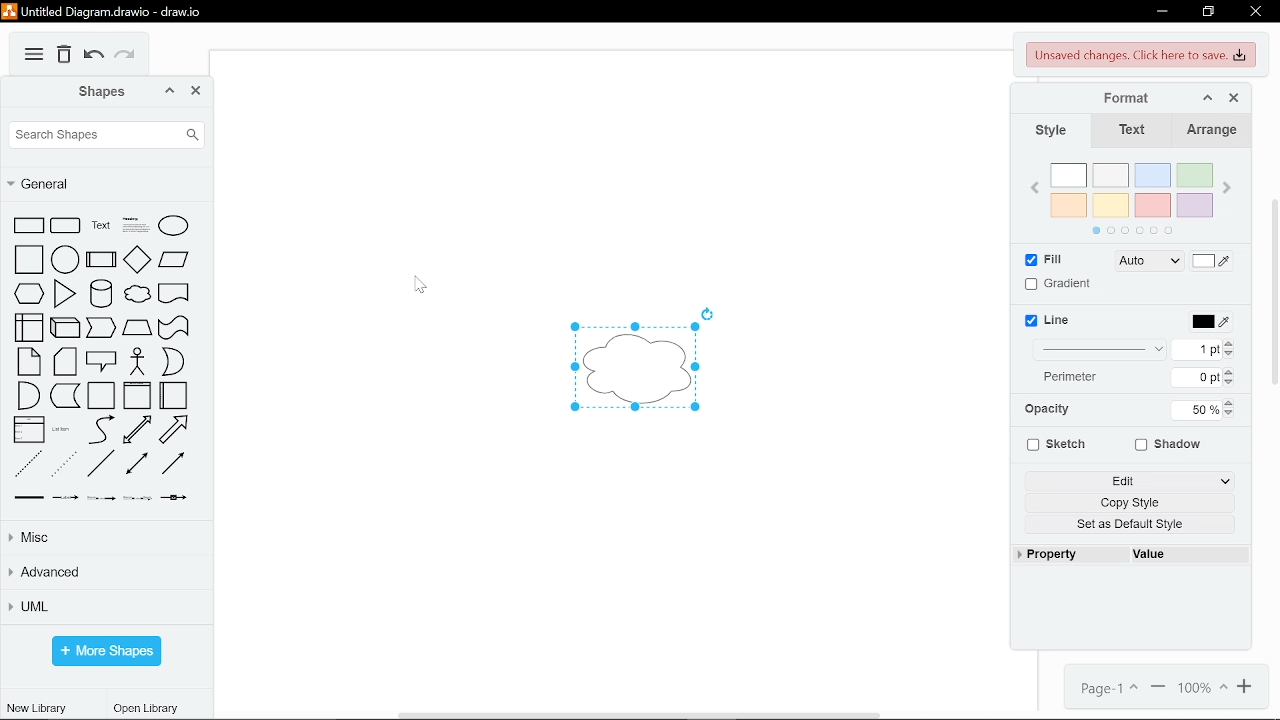  Describe the element at coordinates (1226, 187) in the screenshot. I see `next` at that location.